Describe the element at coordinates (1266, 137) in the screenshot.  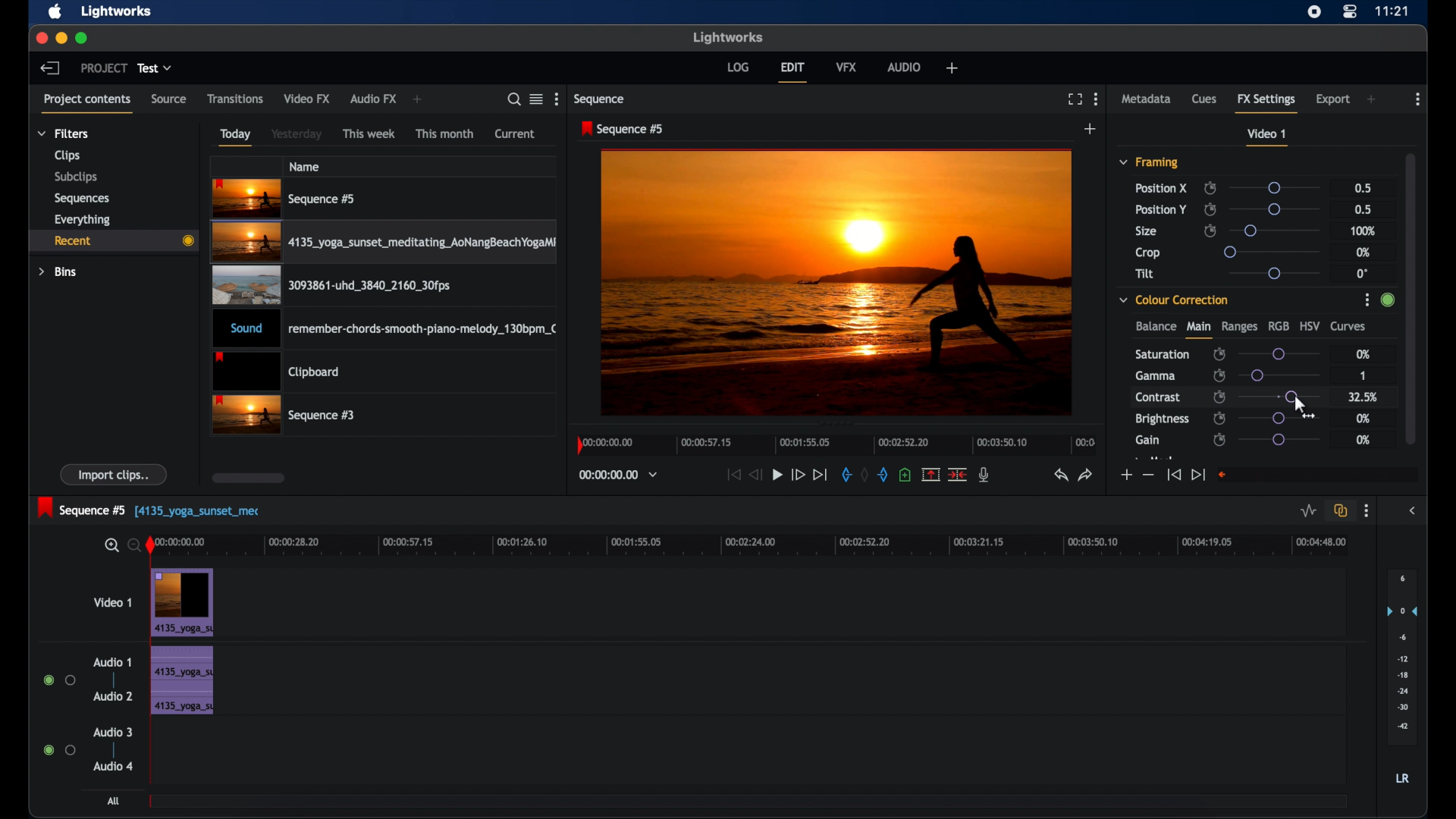
I see `video 1` at that location.